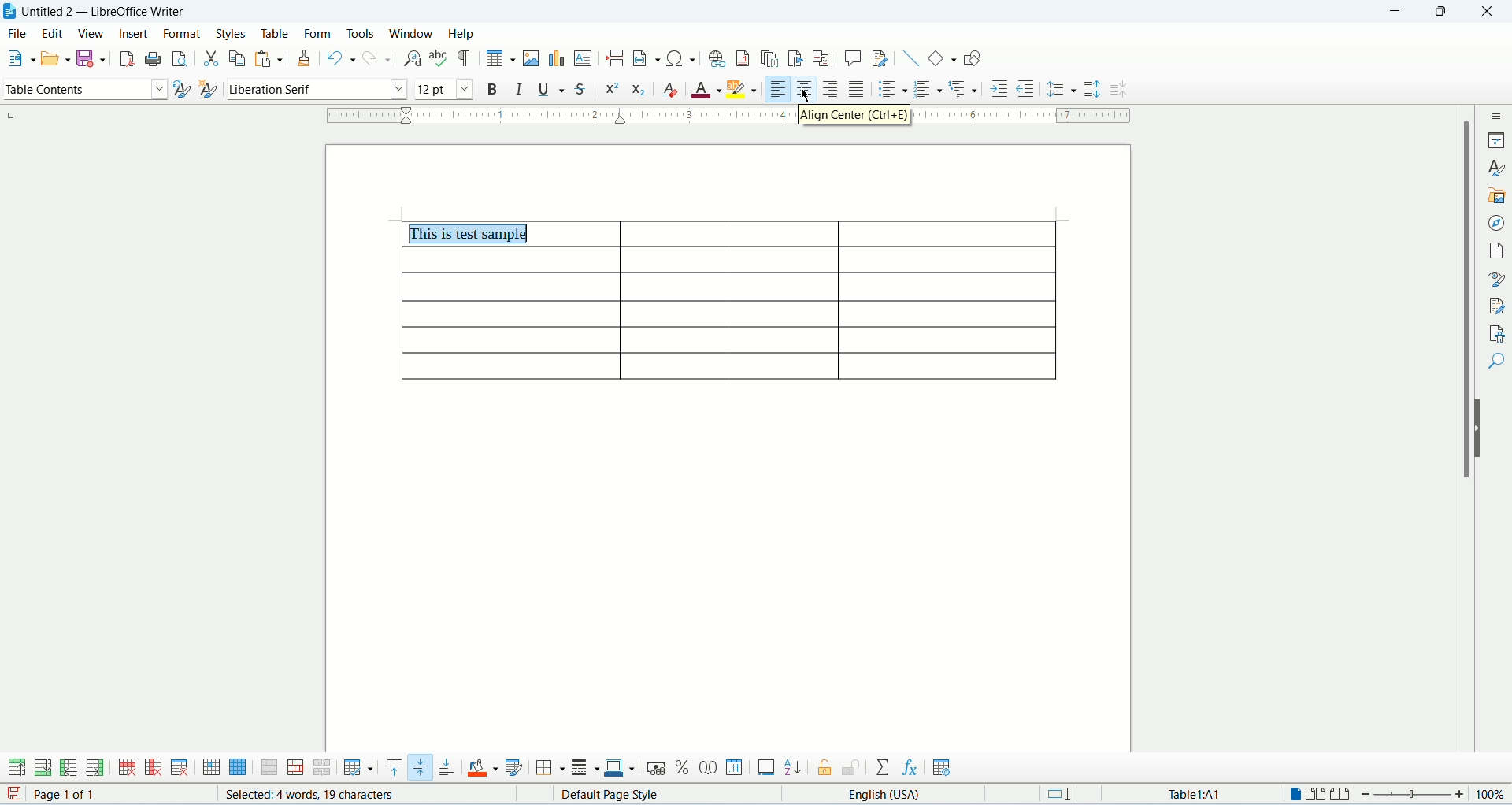  Describe the element at coordinates (727, 317) in the screenshot. I see `table` at that location.